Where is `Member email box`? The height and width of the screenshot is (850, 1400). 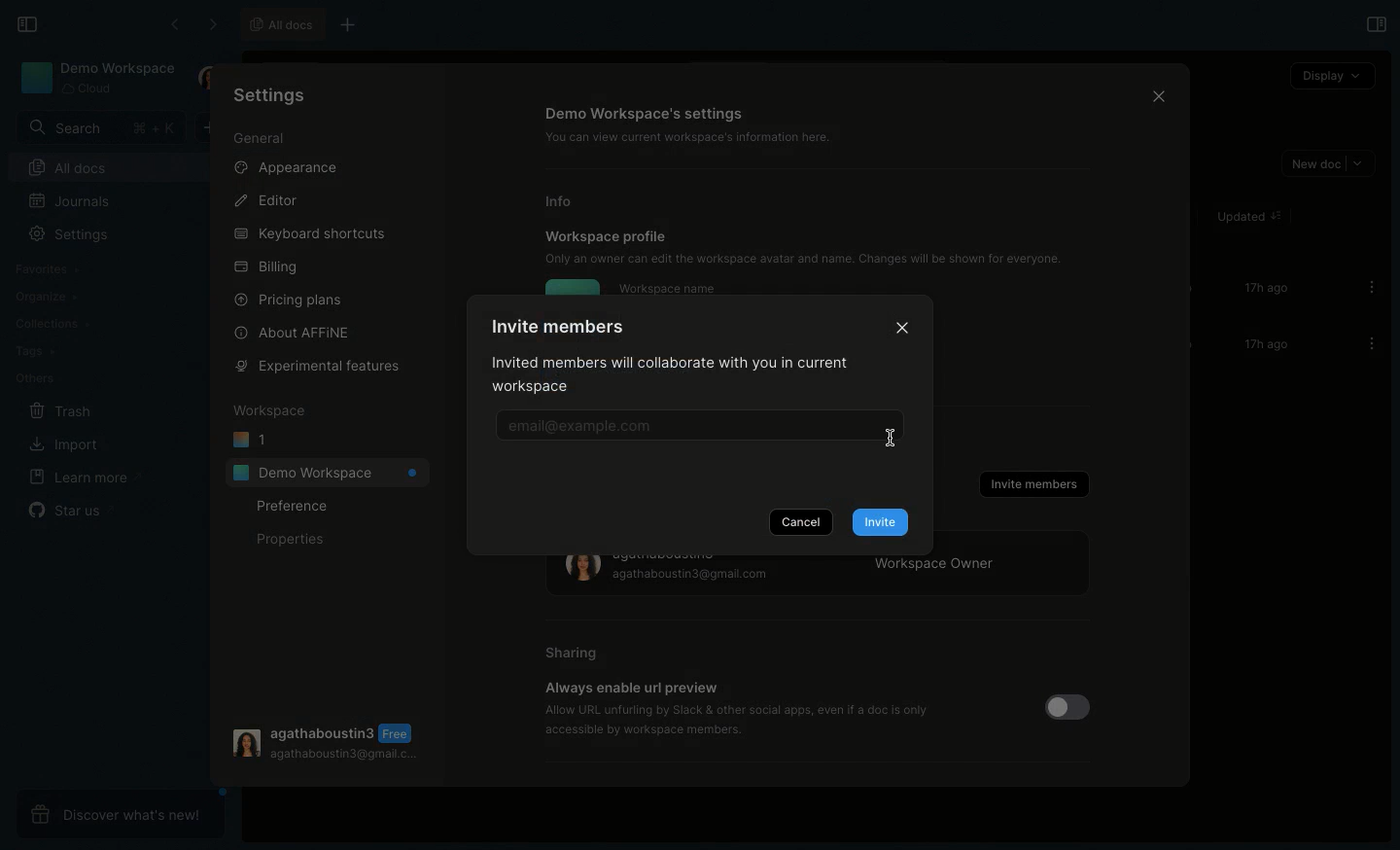
Member email box is located at coordinates (693, 427).